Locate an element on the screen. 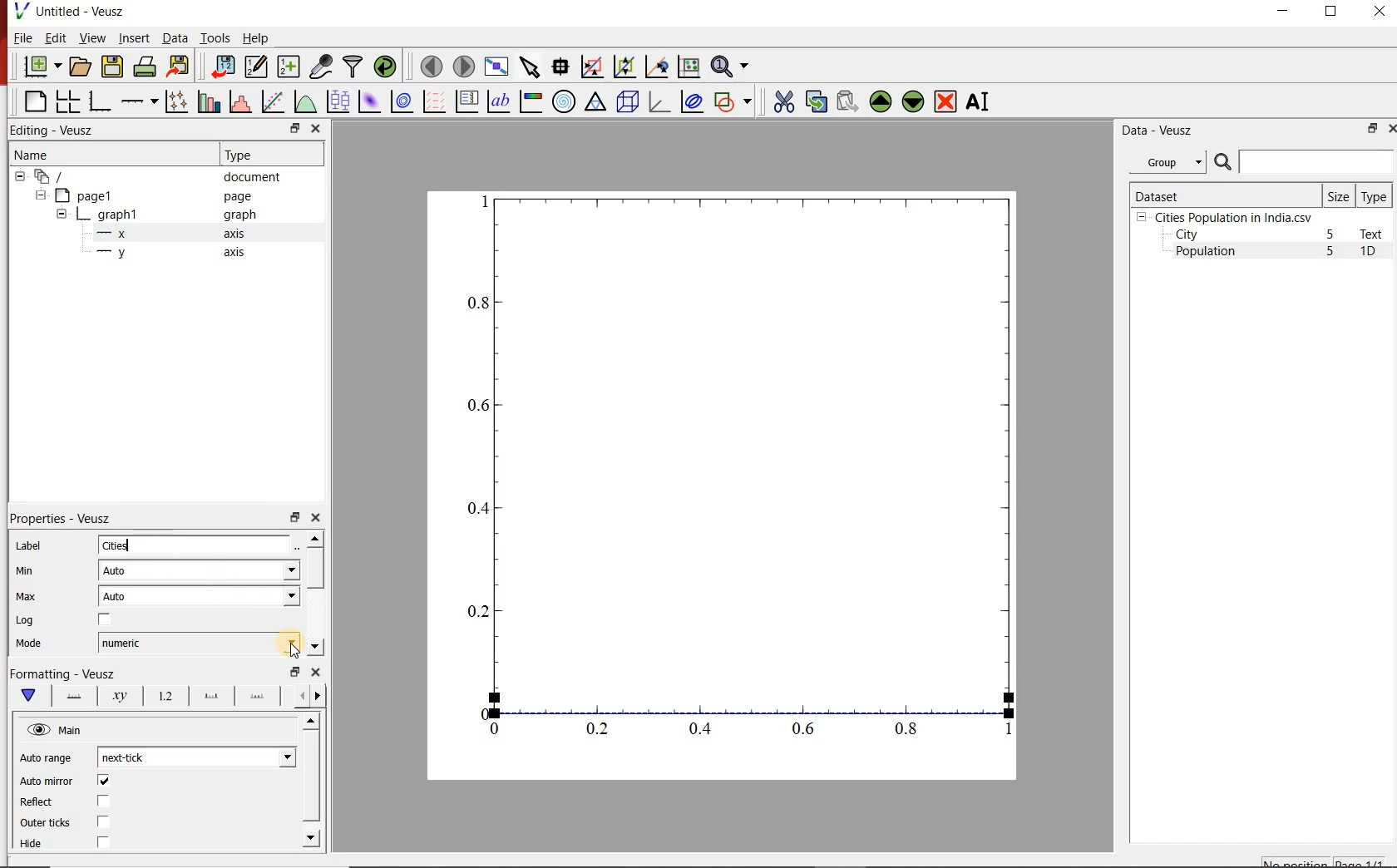 Image resolution: width=1397 pixels, height=868 pixels. click to zoom out of graph axes is located at coordinates (622, 68).